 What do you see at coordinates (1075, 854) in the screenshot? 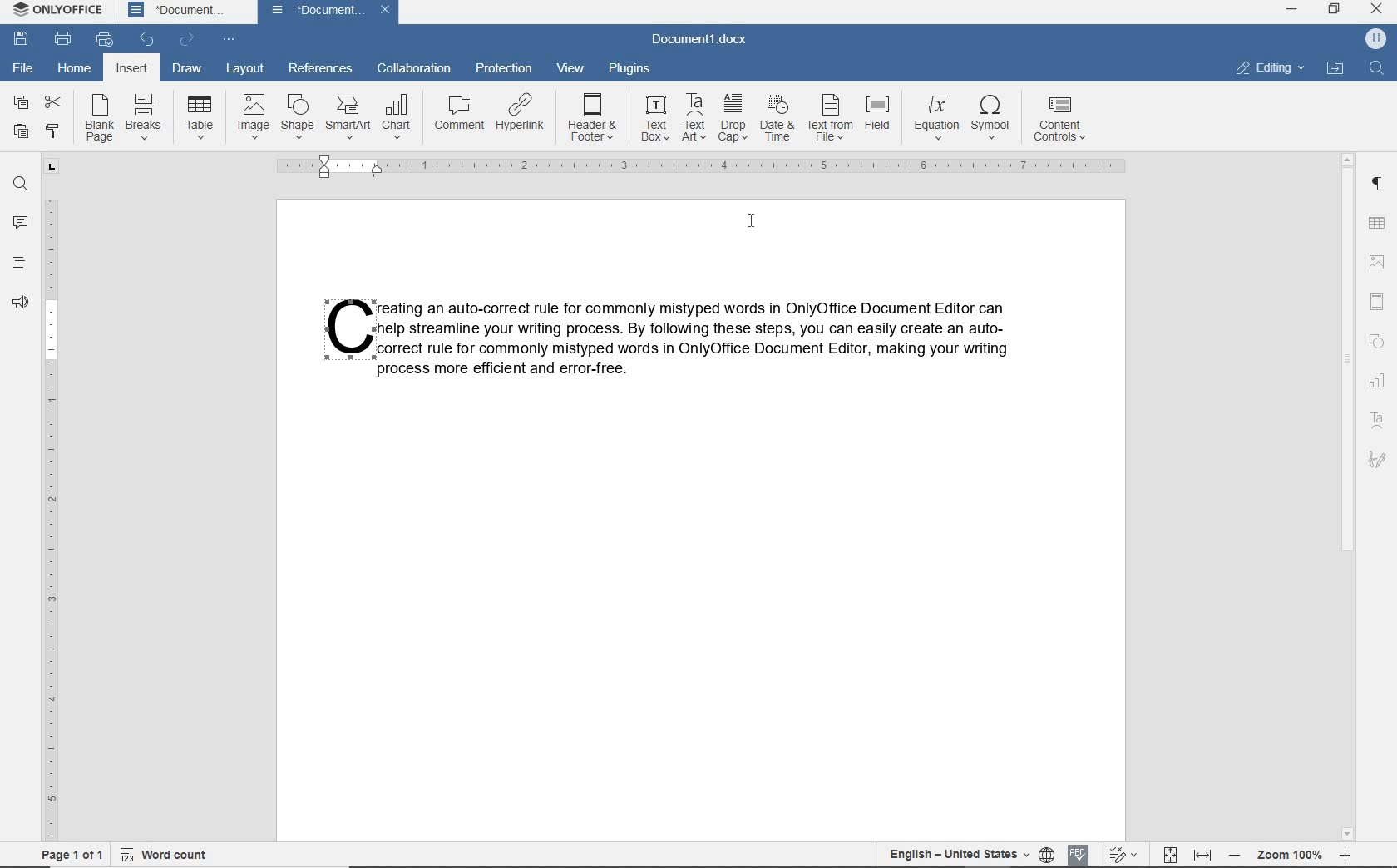
I see `spell checking` at bounding box center [1075, 854].